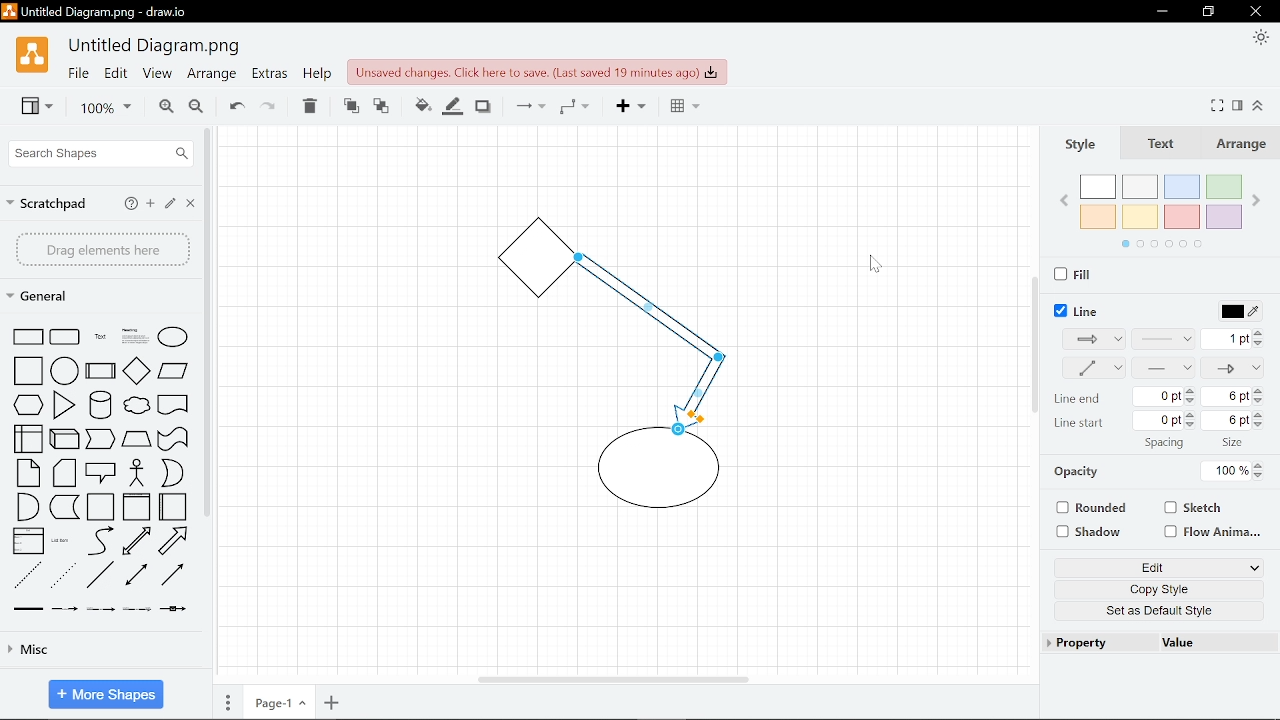 The width and height of the screenshot is (1280, 720). What do you see at coordinates (1236, 443) in the screenshot?
I see `space` at bounding box center [1236, 443].